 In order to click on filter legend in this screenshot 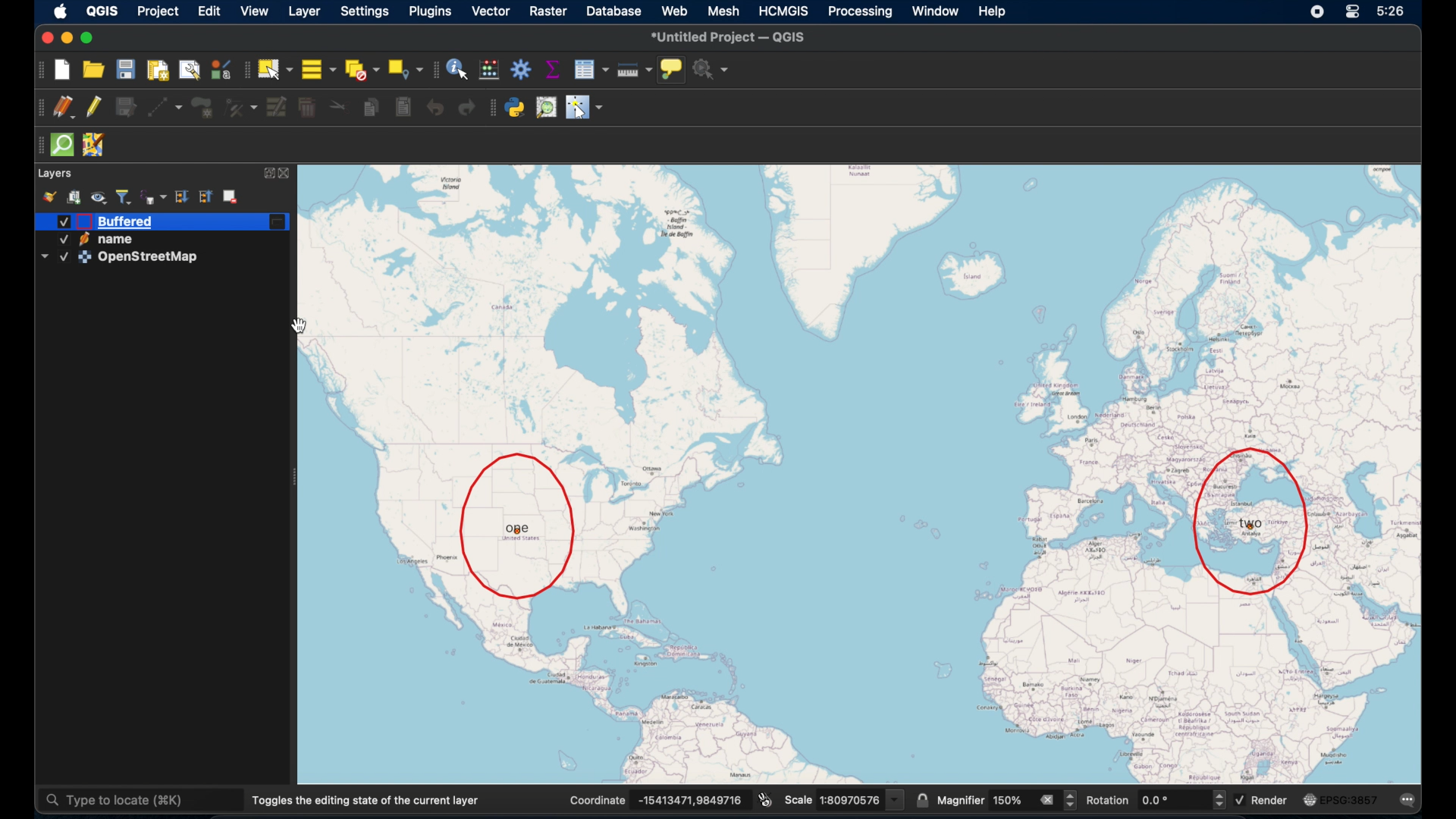, I will do `click(124, 196)`.